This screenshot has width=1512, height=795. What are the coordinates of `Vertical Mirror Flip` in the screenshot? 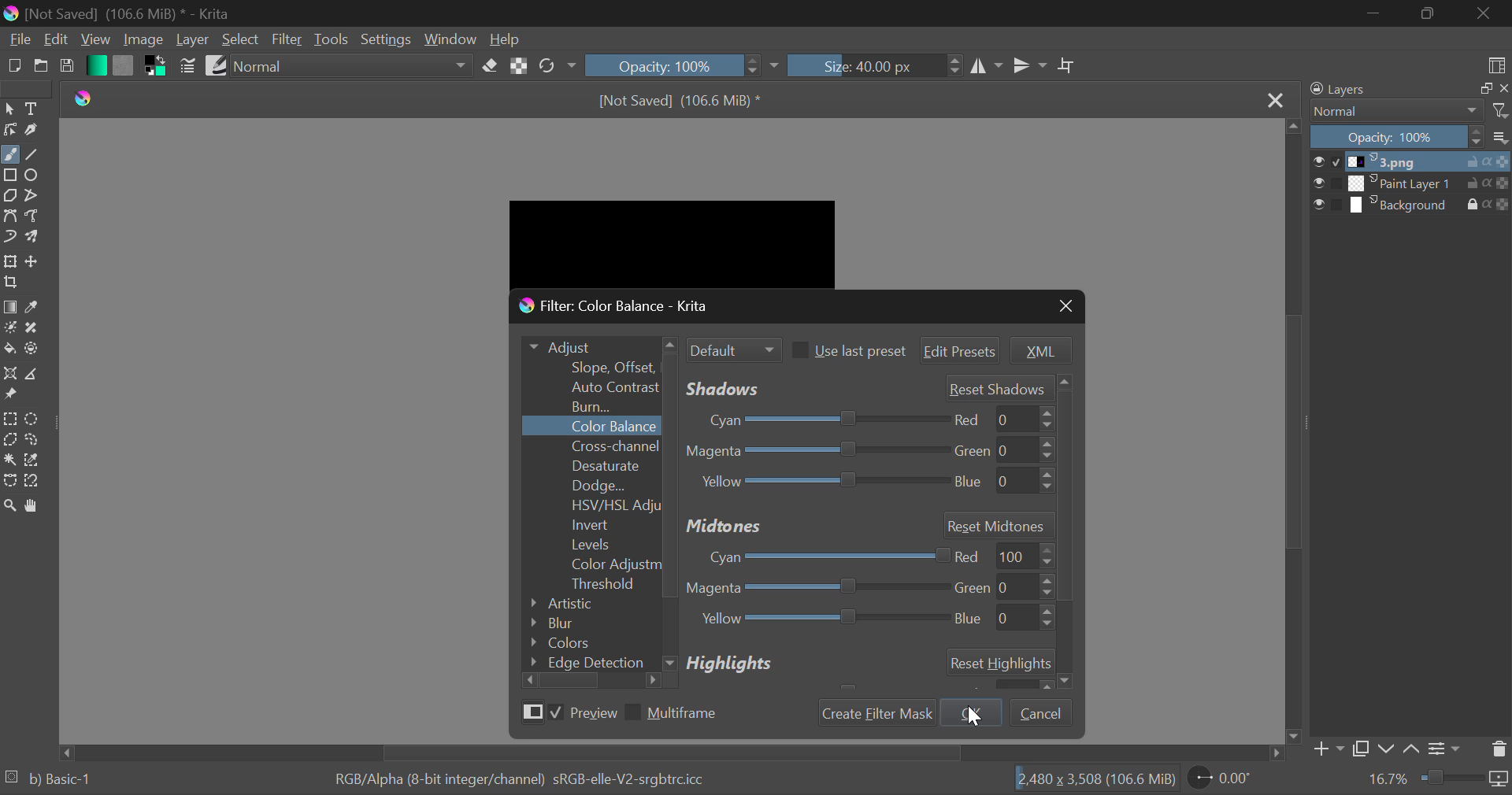 It's located at (987, 65).